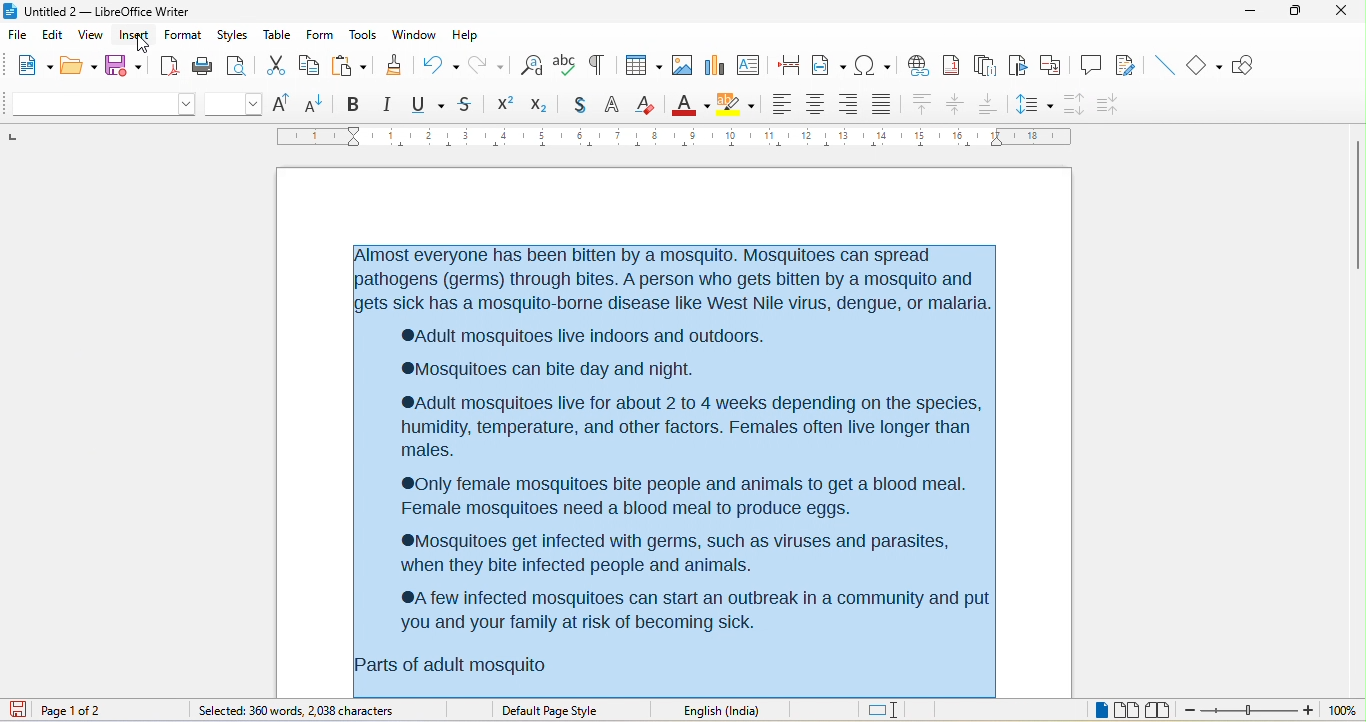 The width and height of the screenshot is (1366, 722). What do you see at coordinates (781, 104) in the screenshot?
I see `align left` at bounding box center [781, 104].